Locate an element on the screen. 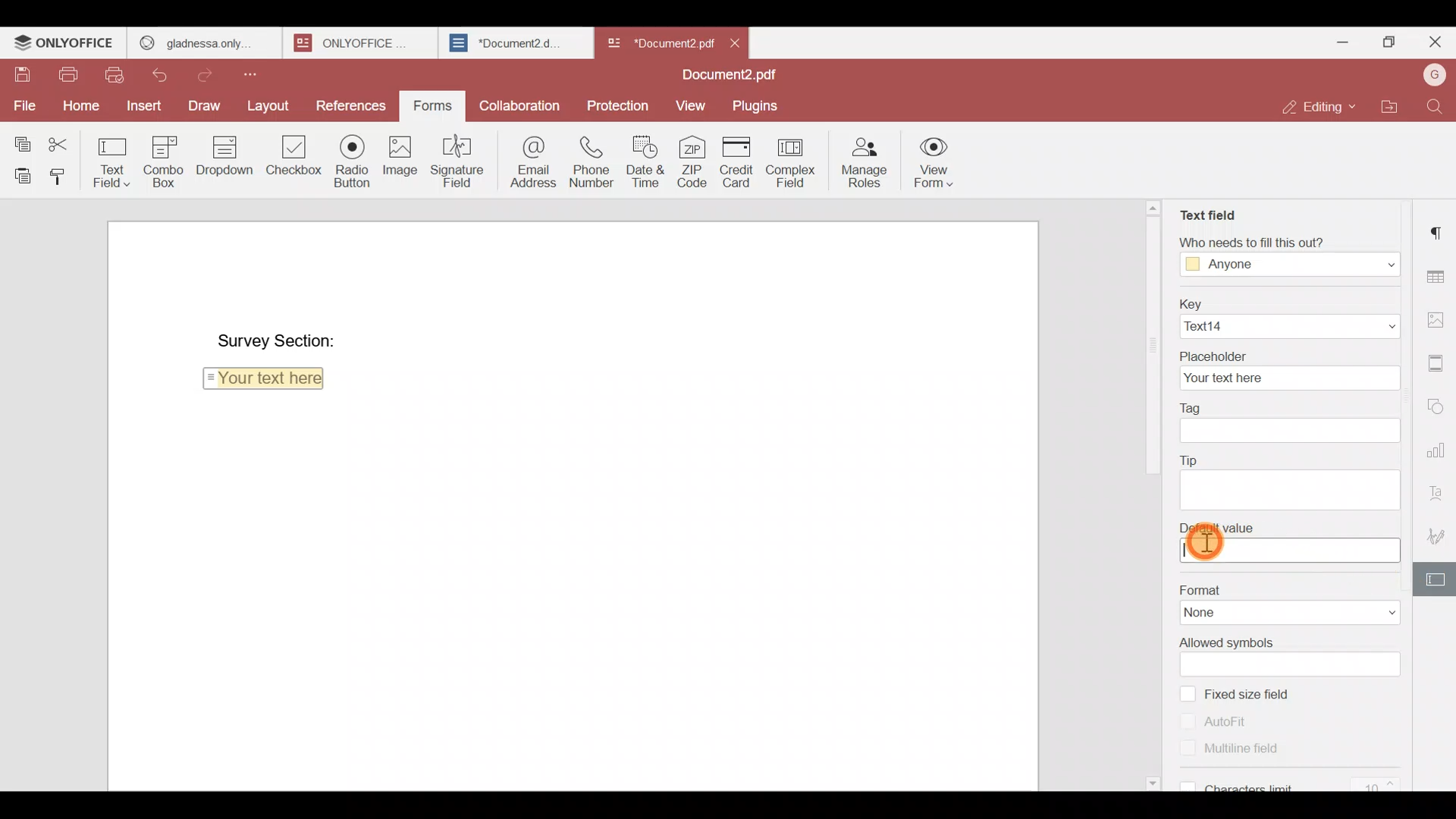 The image size is (1456, 819). Image settings is located at coordinates (1438, 315).